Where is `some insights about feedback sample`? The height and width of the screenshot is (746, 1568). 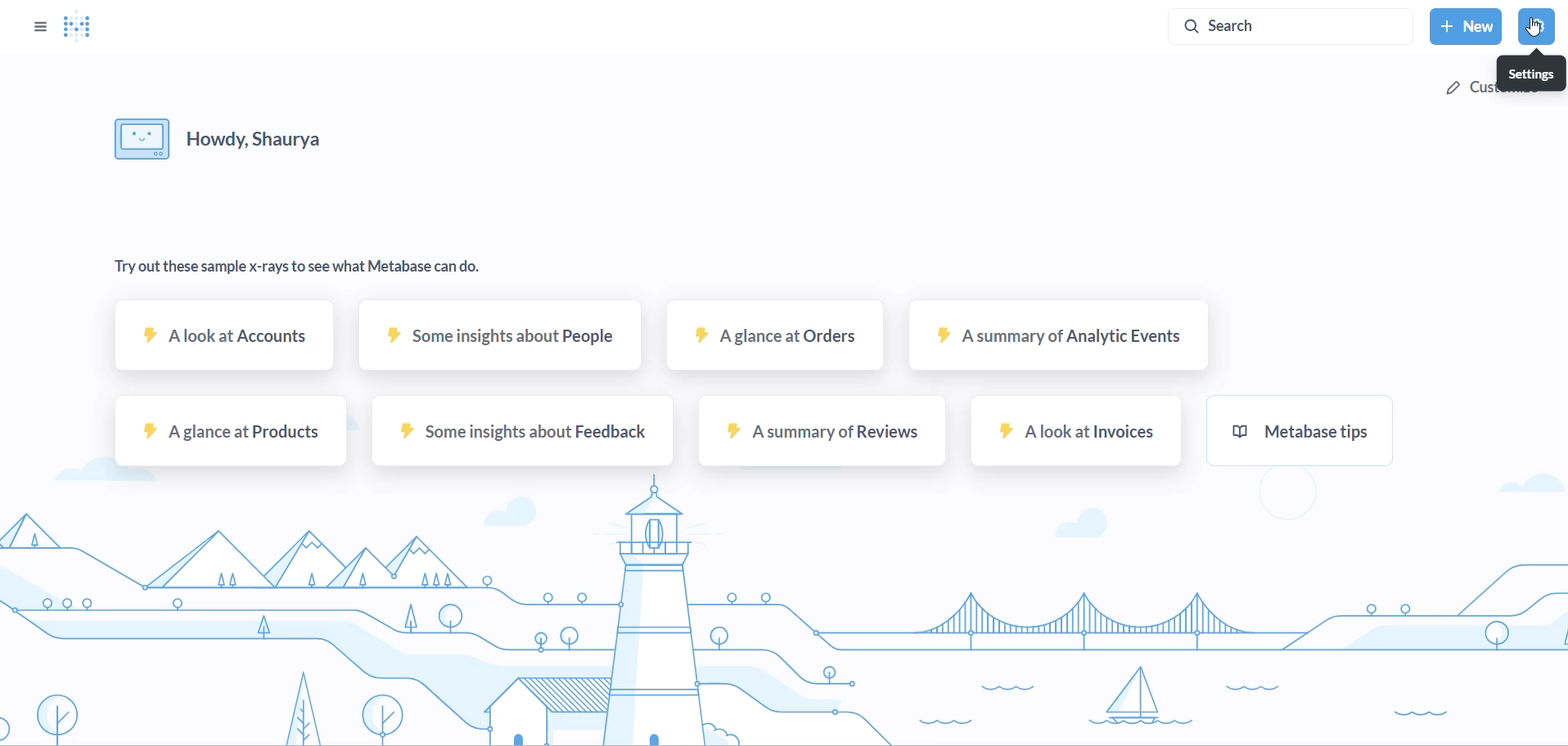 some insights about feedback sample is located at coordinates (515, 429).